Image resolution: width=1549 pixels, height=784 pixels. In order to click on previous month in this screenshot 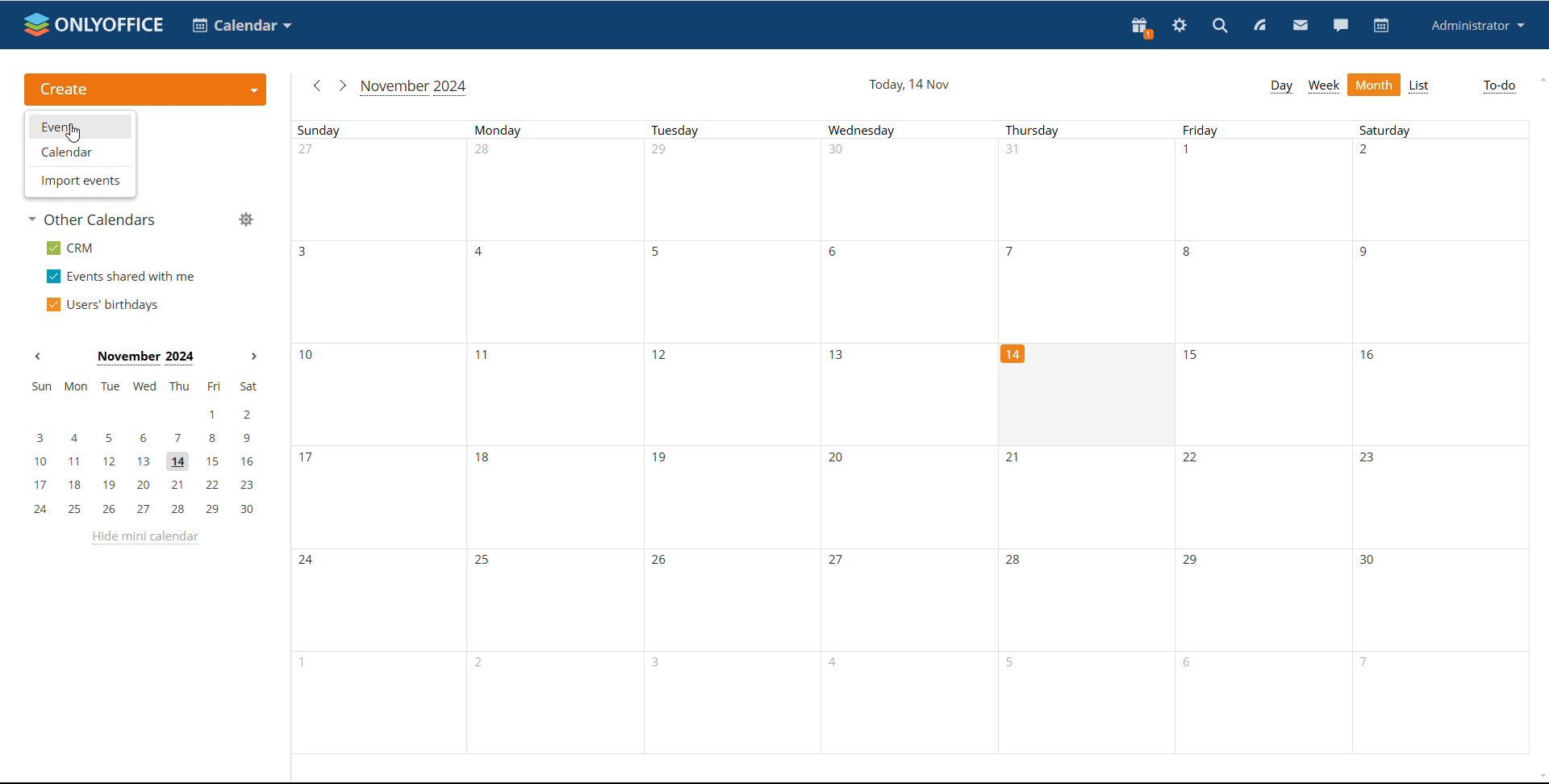, I will do `click(37, 355)`.